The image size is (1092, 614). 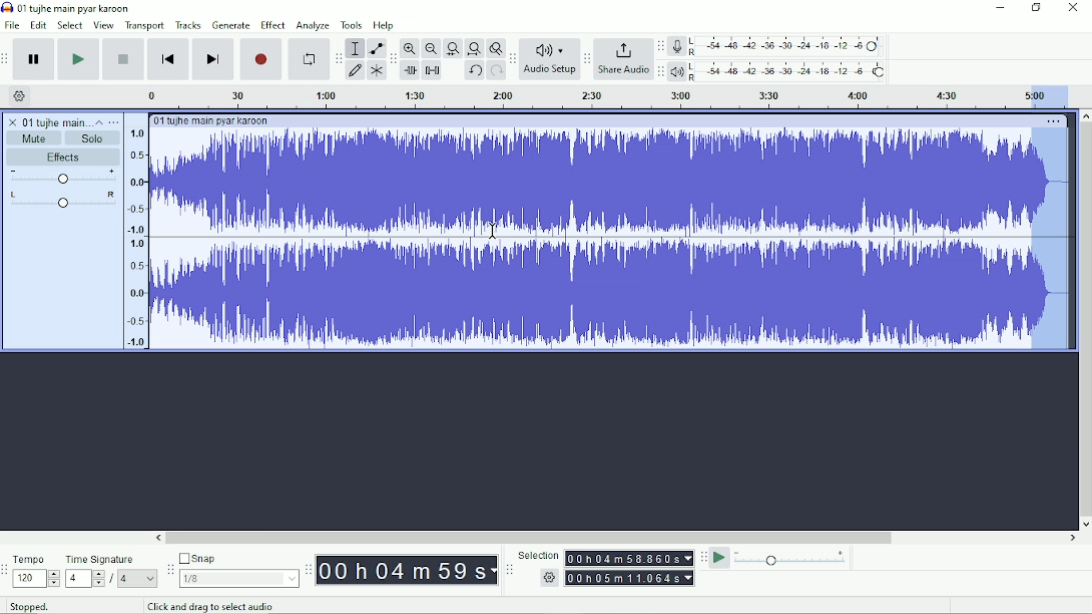 I want to click on Transport, so click(x=144, y=27).